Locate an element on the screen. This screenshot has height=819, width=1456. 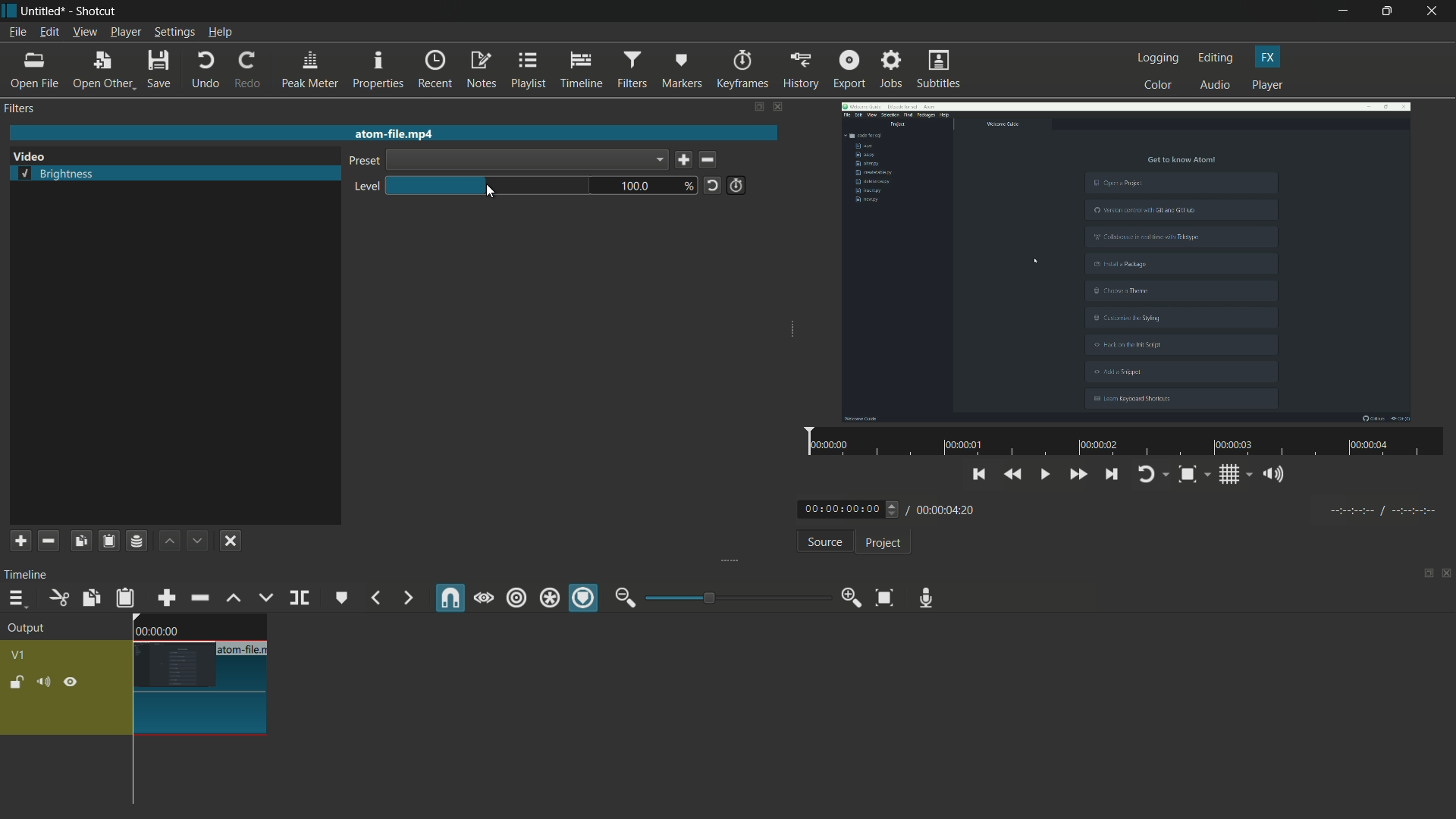
cut is located at coordinates (58, 598).